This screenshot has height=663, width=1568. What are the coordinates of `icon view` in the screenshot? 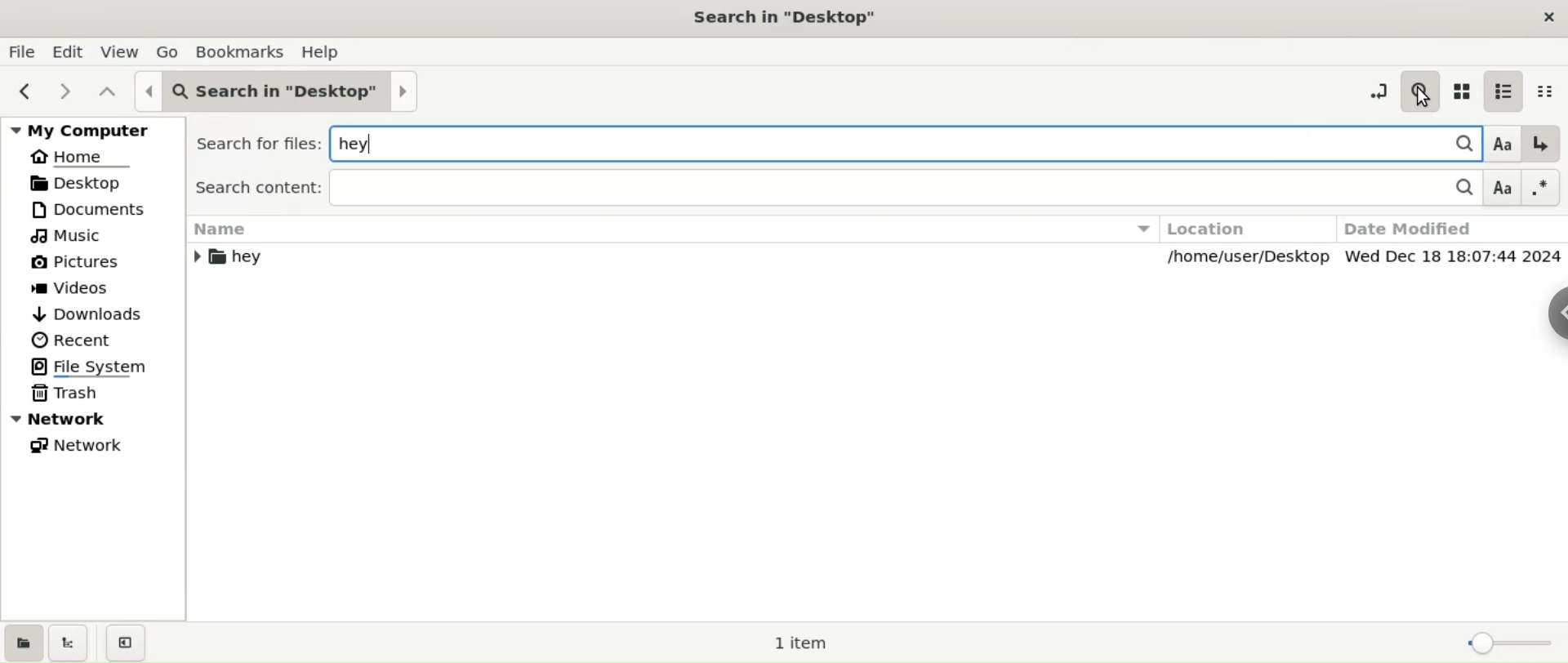 It's located at (1465, 93).